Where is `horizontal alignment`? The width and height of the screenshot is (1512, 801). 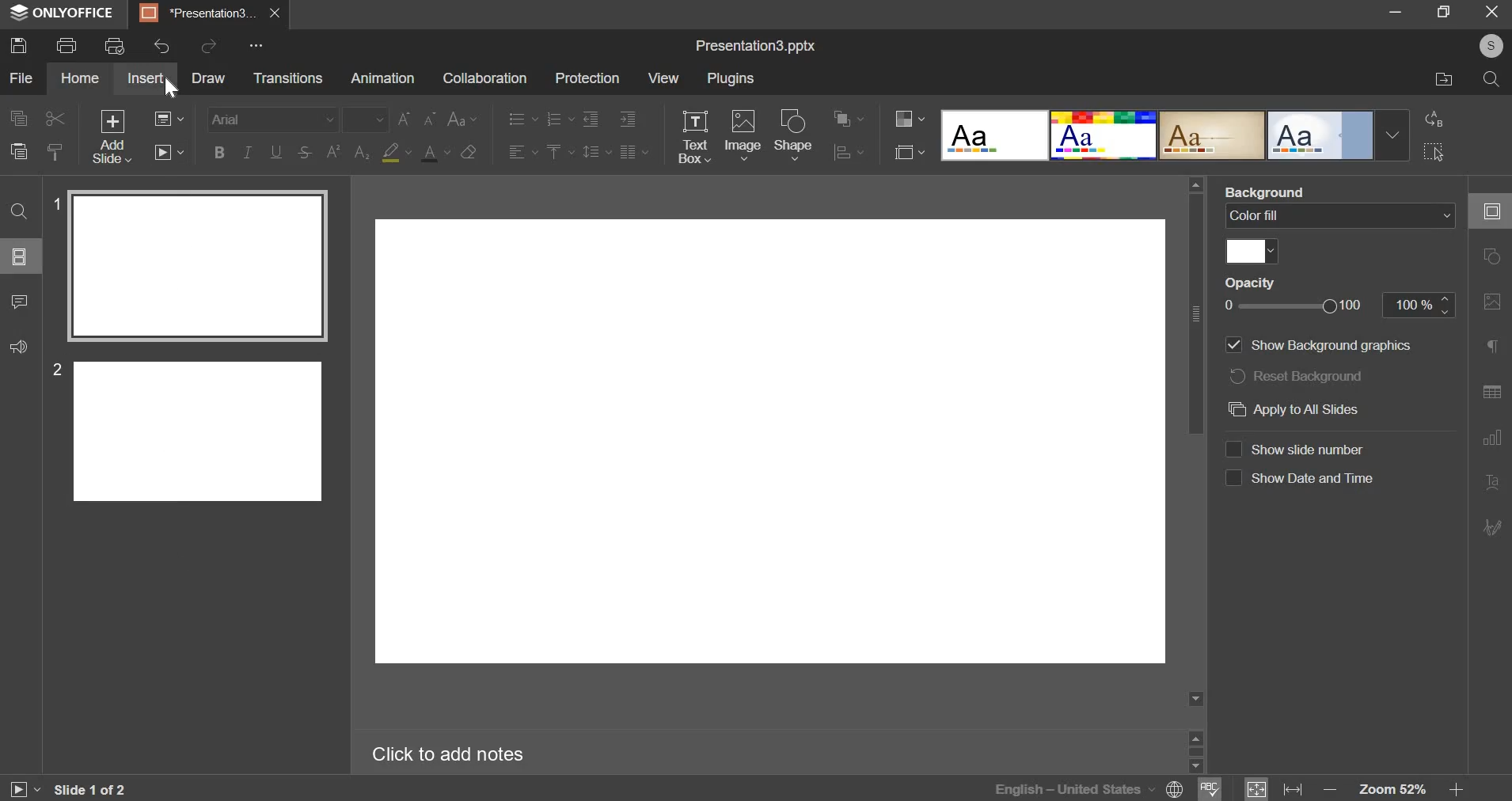 horizontal alignment is located at coordinates (523, 152).